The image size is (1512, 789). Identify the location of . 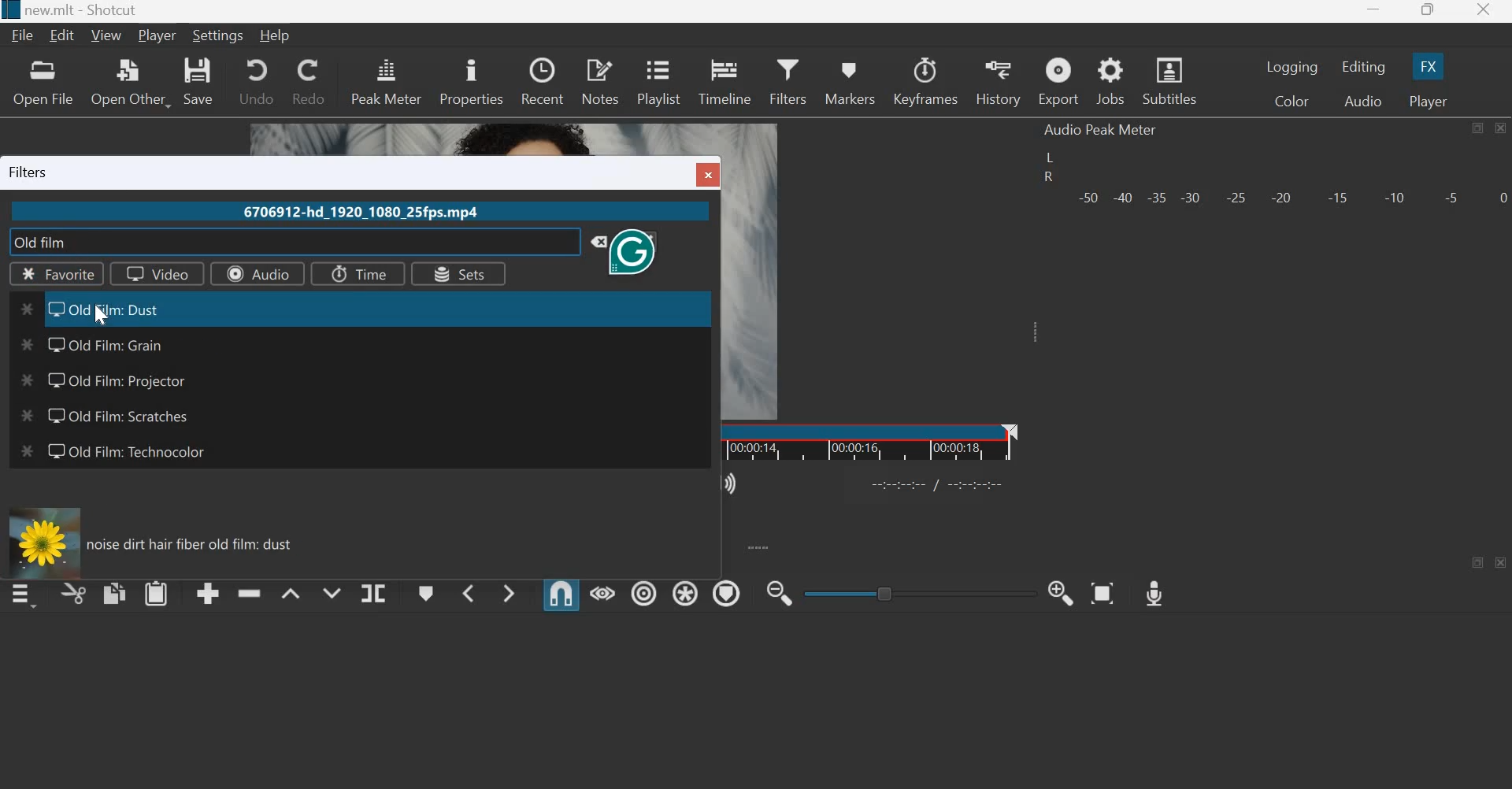
(25, 382).